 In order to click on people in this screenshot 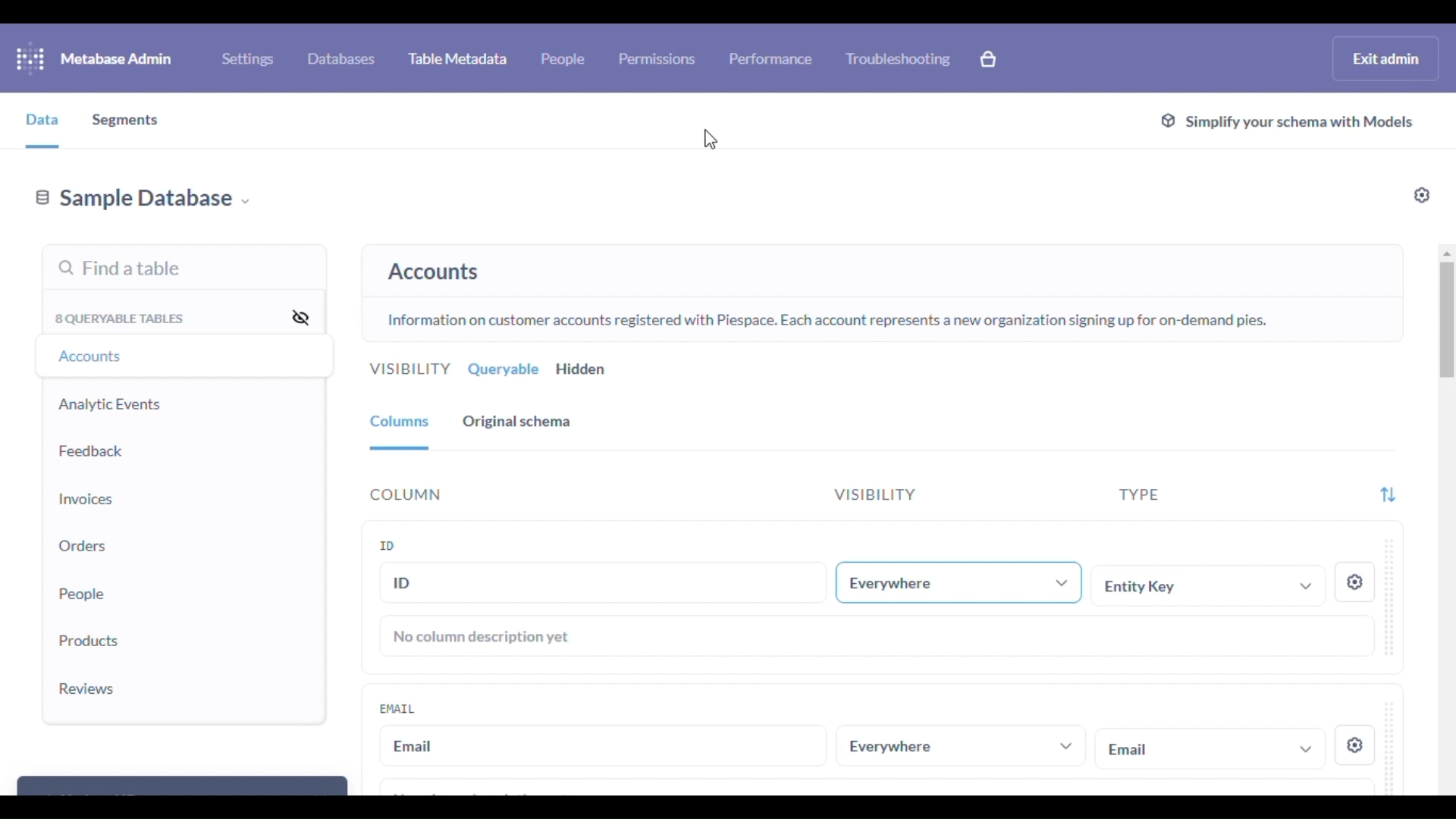, I will do `click(83, 592)`.